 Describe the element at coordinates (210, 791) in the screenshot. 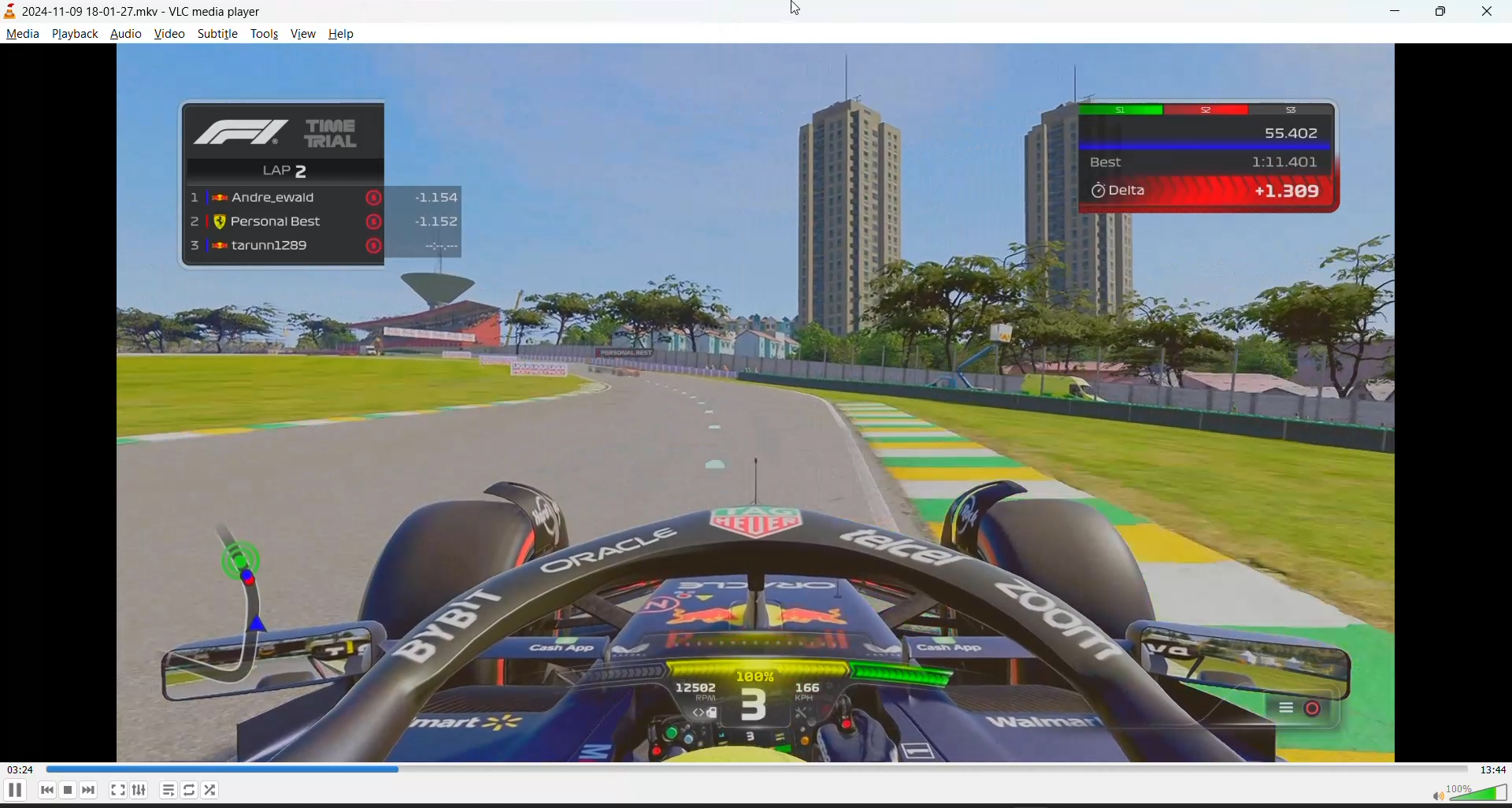

I see `loop` at that location.